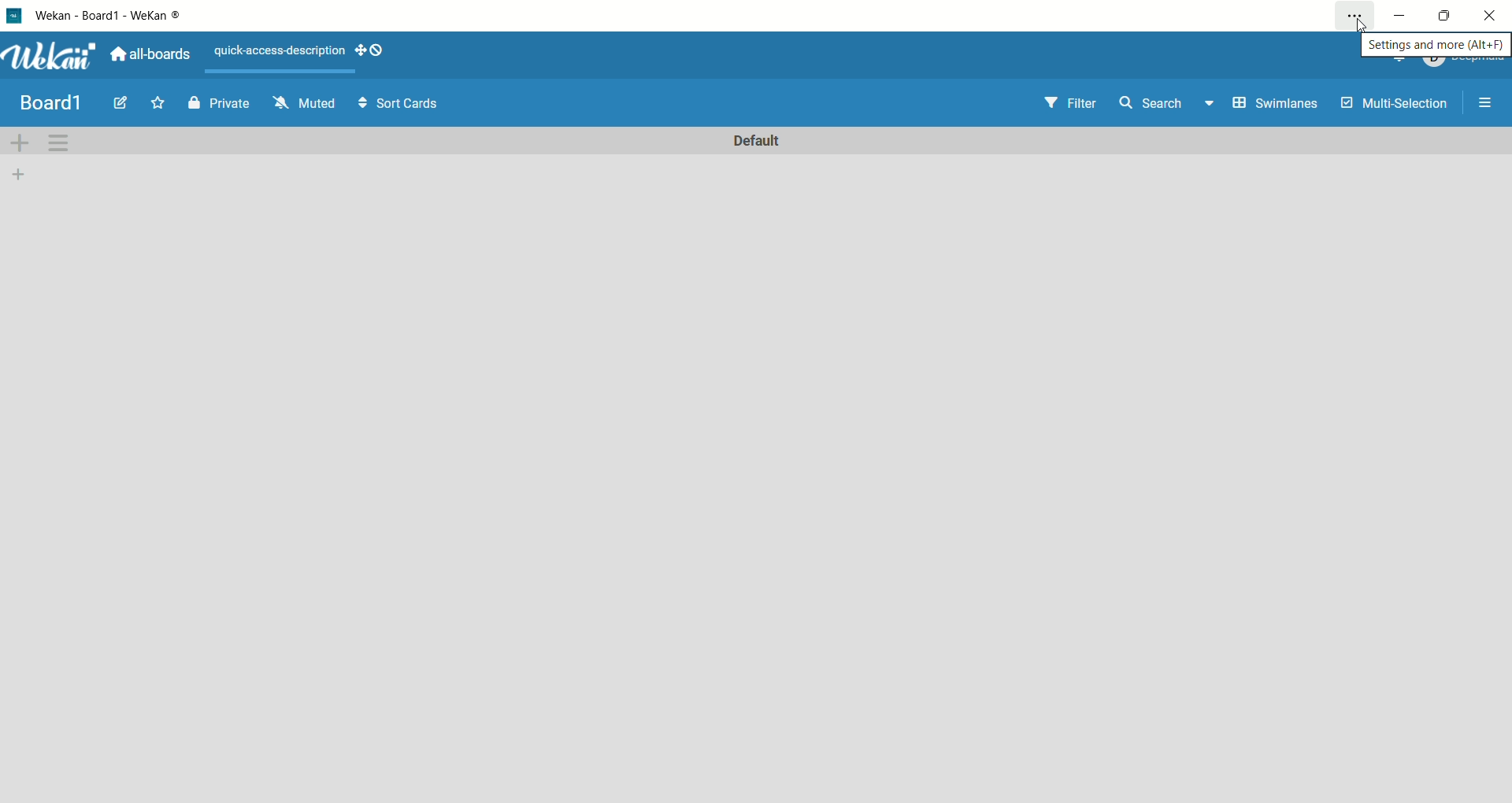 The height and width of the screenshot is (803, 1512). What do you see at coordinates (115, 14) in the screenshot?
I see `title` at bounding box center [115, 14].